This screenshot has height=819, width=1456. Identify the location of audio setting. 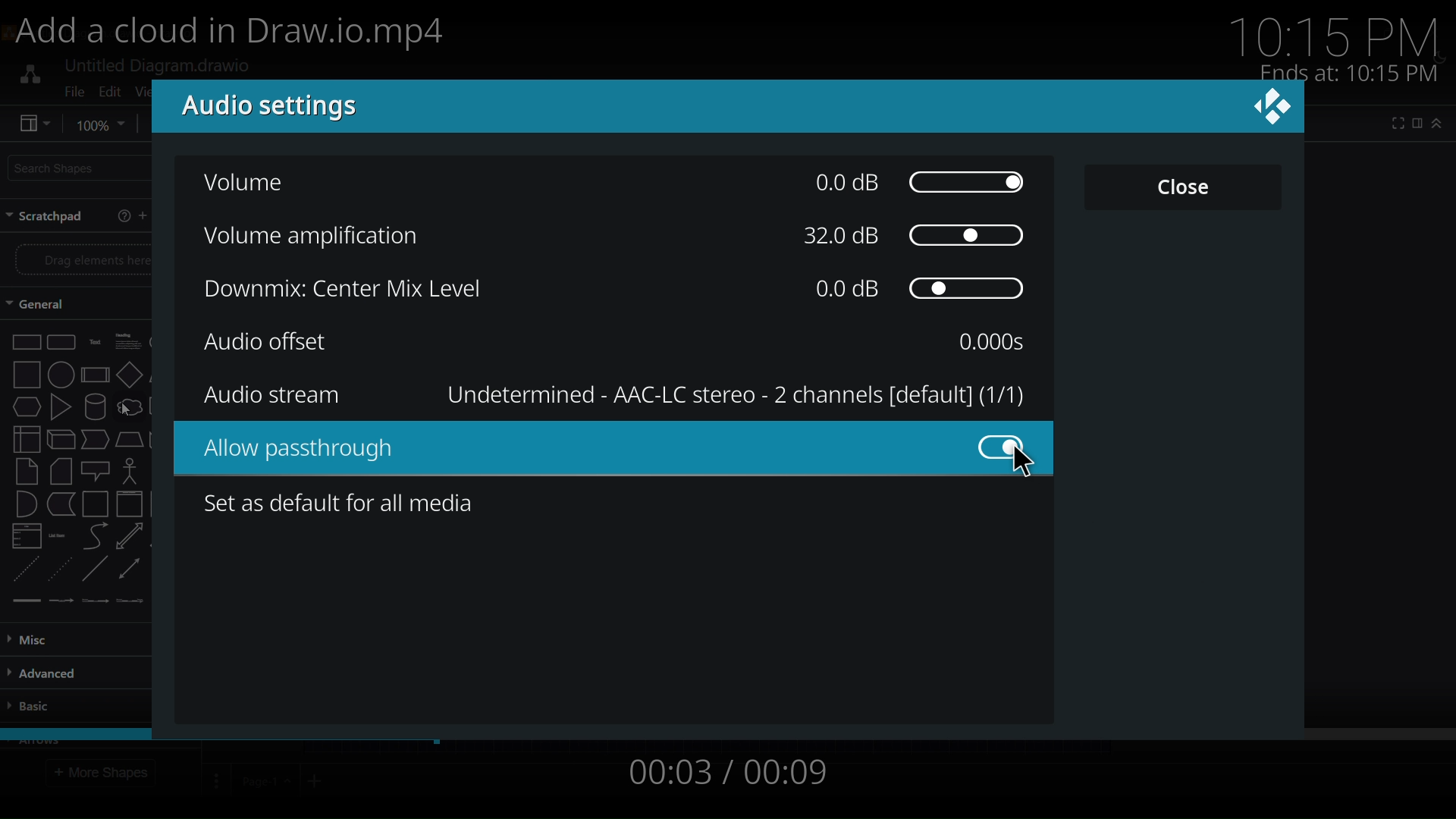
(288, 108).